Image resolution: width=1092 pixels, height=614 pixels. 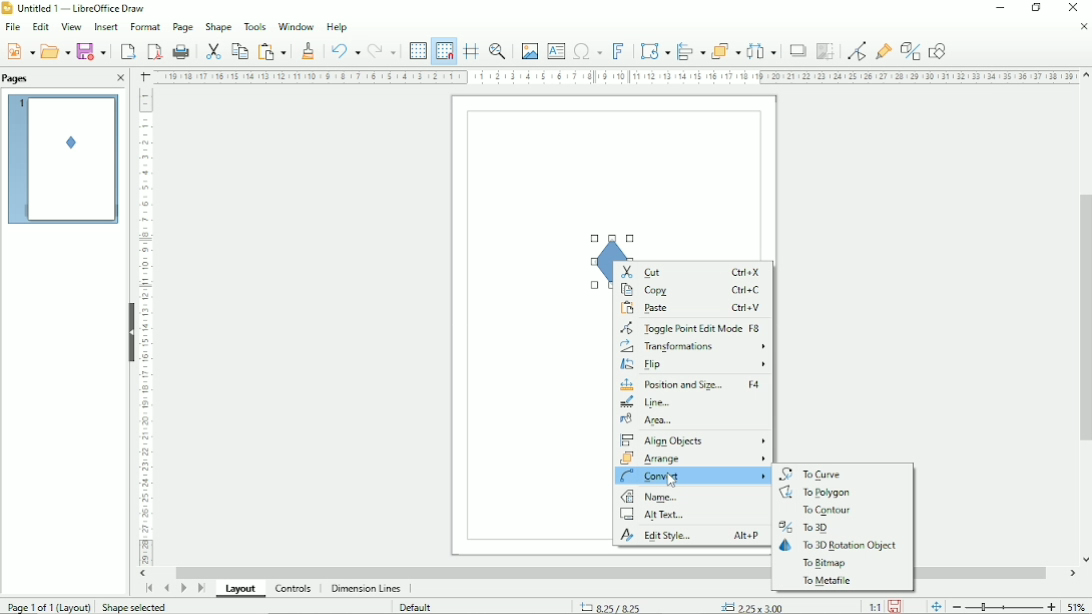 What do you see at coordinates (18, 78) in the screenshot?
I see `Pages` at bounding box center [18, 78].